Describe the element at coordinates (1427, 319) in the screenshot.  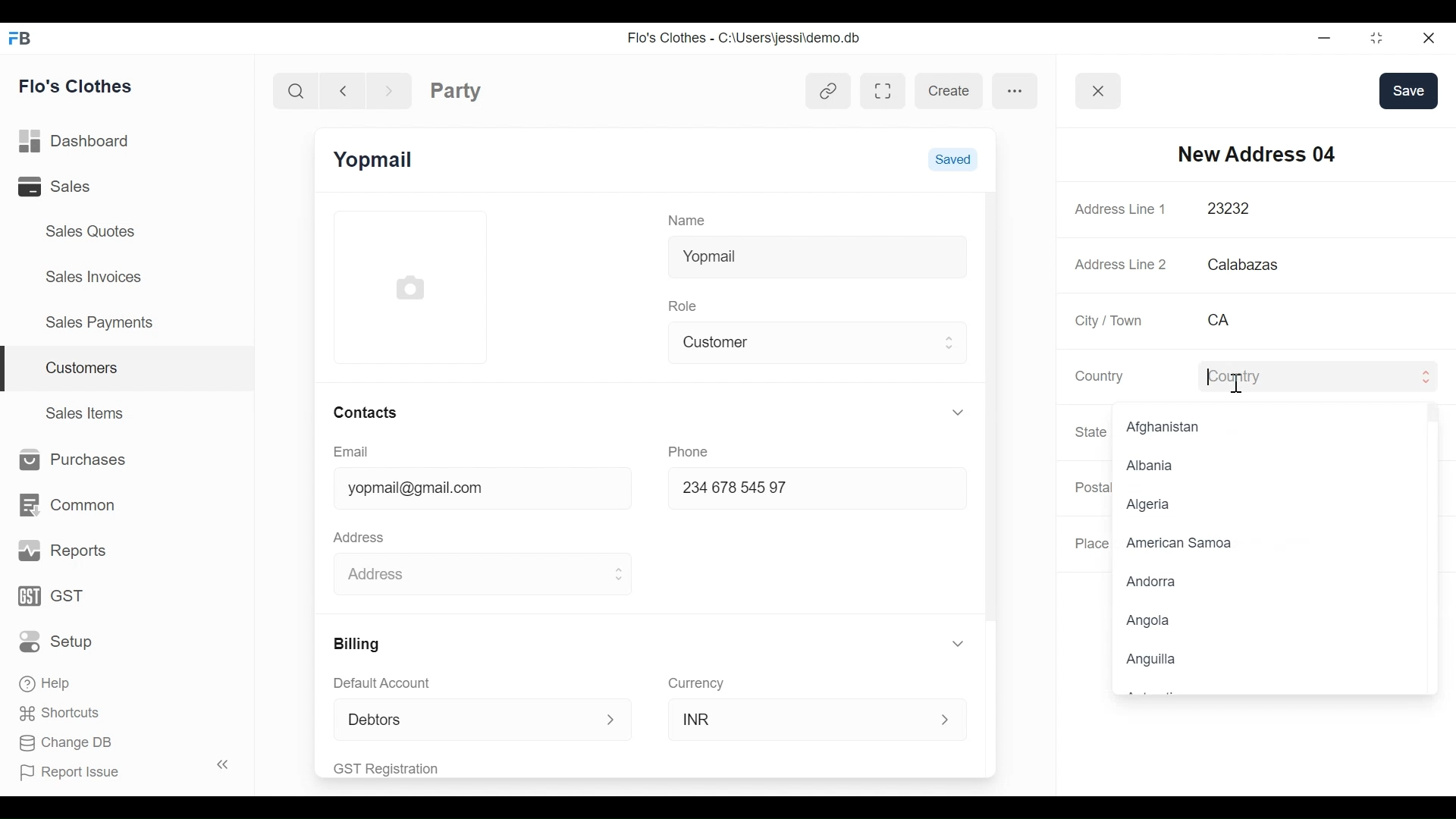
I see `Asterisk ` at that location.